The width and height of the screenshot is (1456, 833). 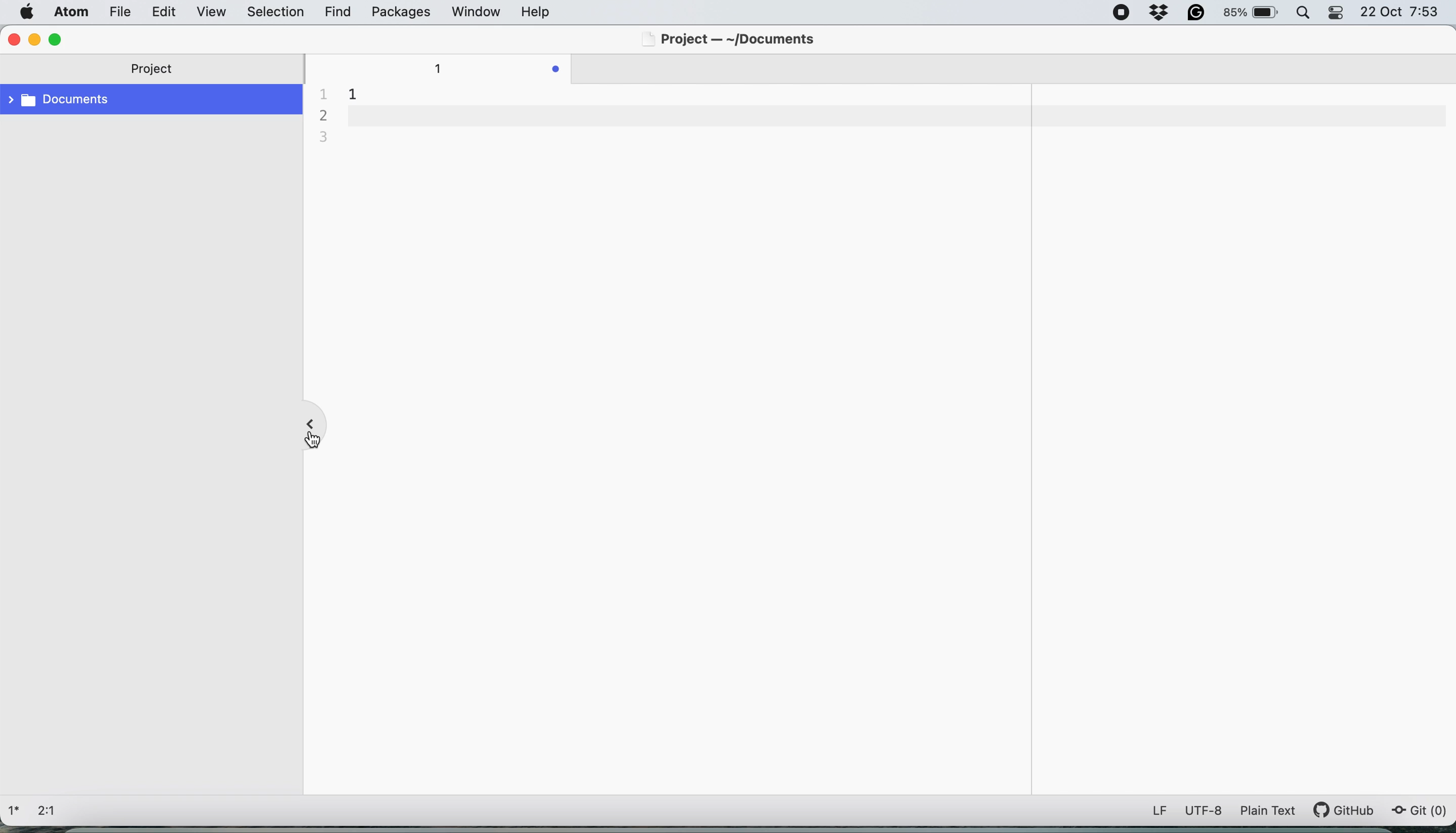 I want to click on 1, so click(x=440, y=69).